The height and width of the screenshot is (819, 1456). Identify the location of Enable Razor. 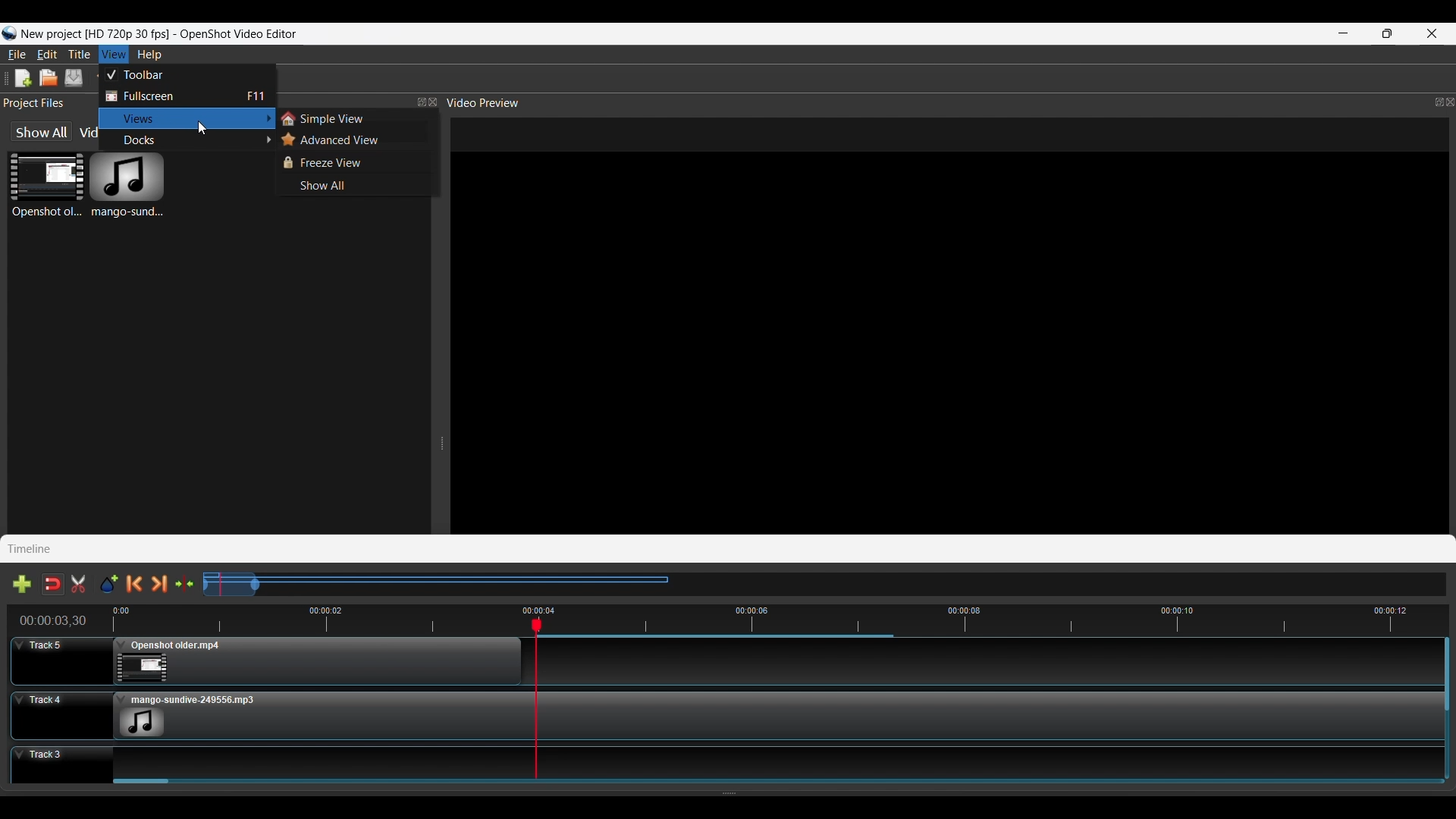
(80, 583).